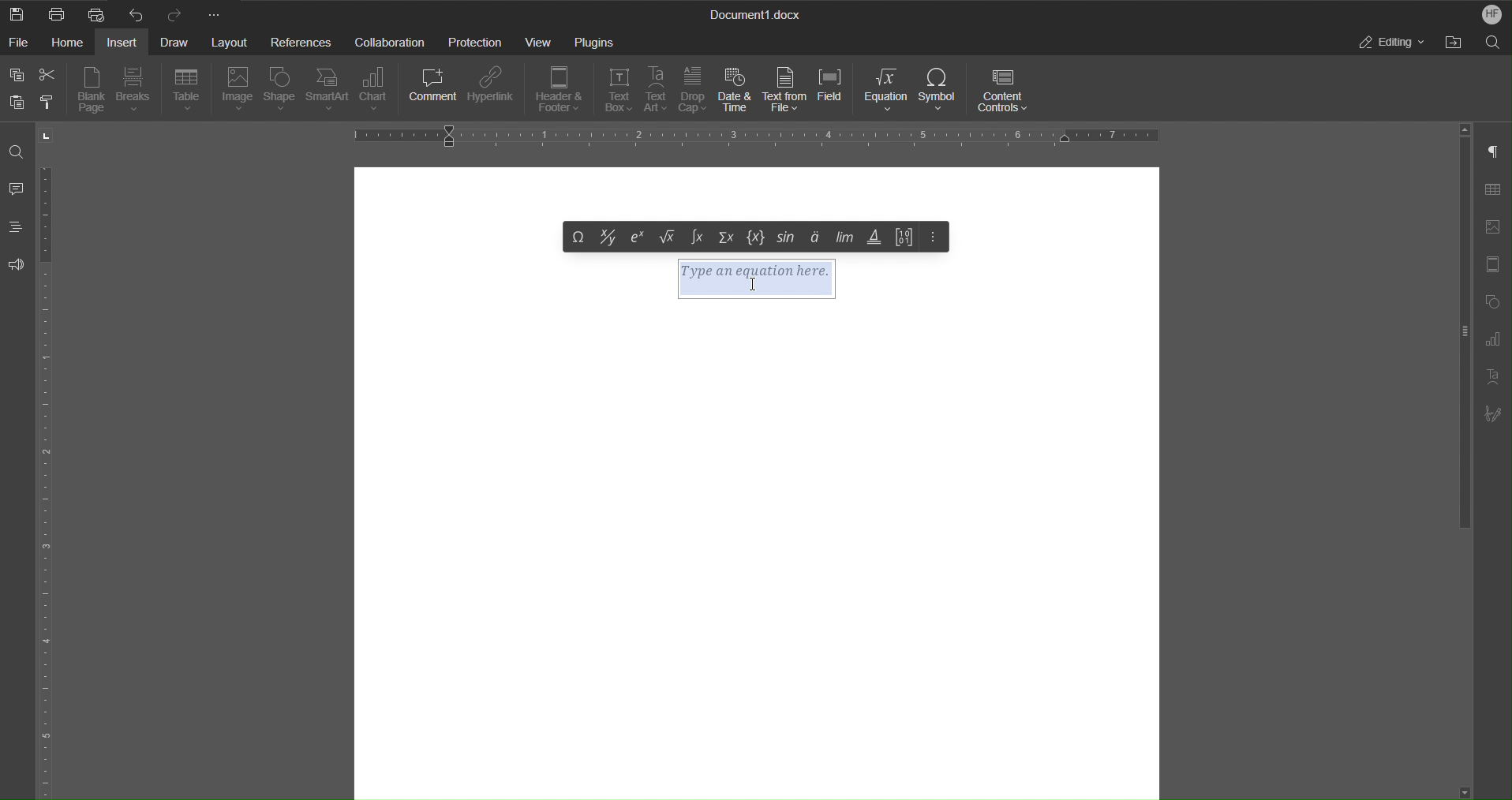 The height and width of the screenshot is (800, 1512). What do you see at coordinates (97, 13) in the screenshot?
I see `Quick Print` at bounding box center [97, 13].